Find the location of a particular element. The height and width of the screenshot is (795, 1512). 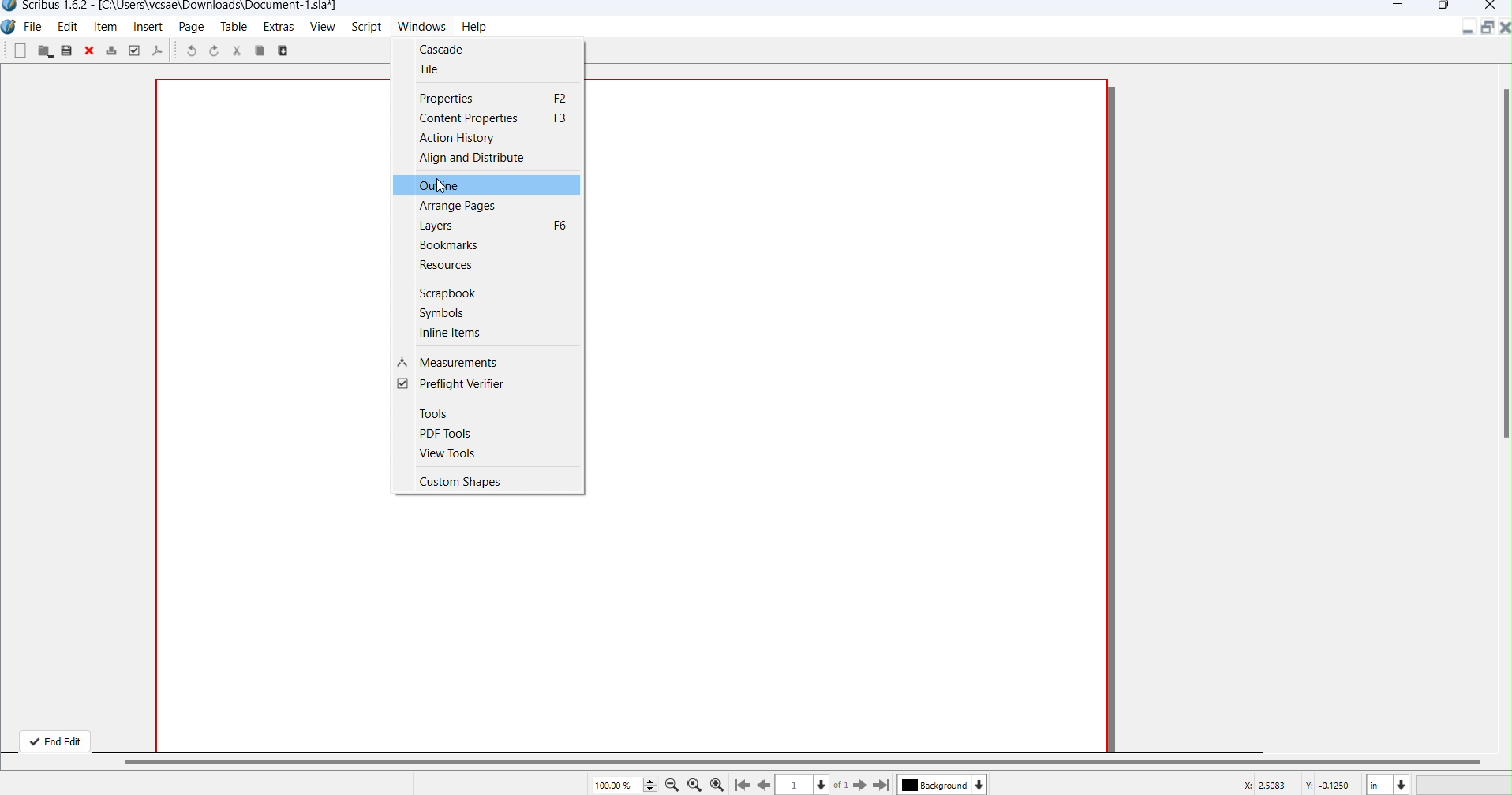

File is located at coordinates (35, 28).